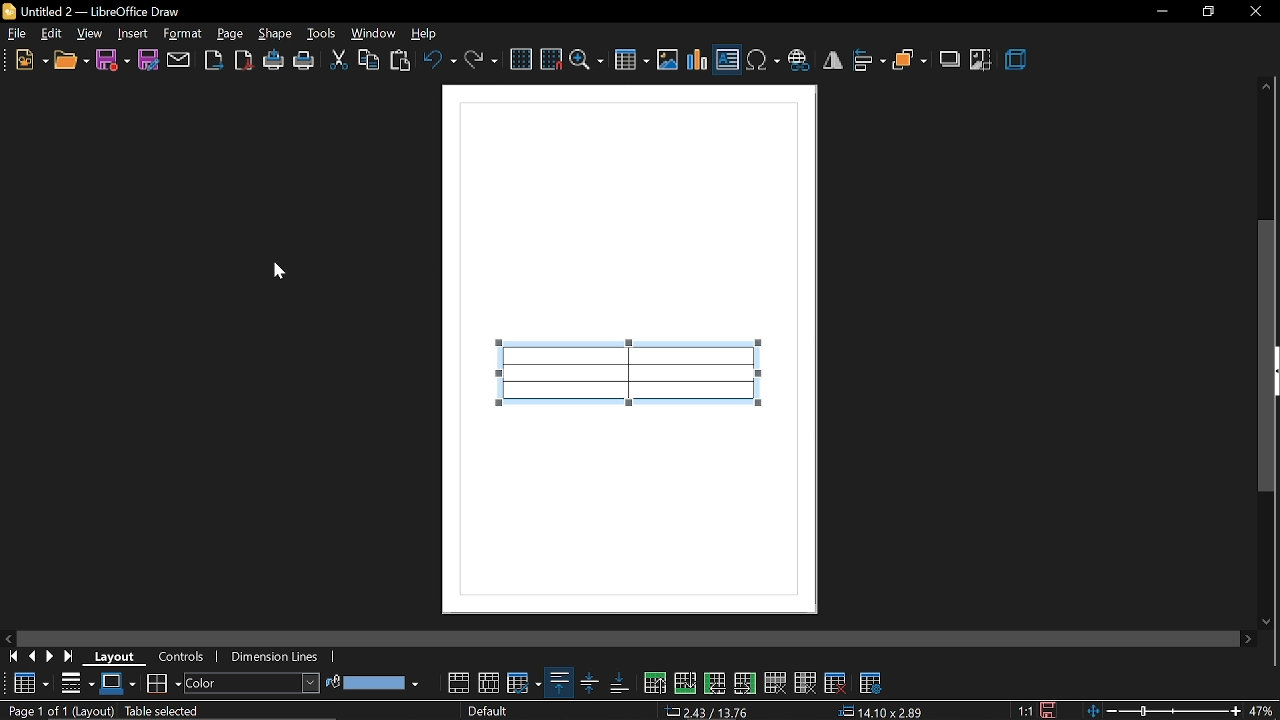 The width and height of the screenshot is (1280, 720). Describe the element at coordinates (669, 59) in the screenshot. I see `insert image` at that location.